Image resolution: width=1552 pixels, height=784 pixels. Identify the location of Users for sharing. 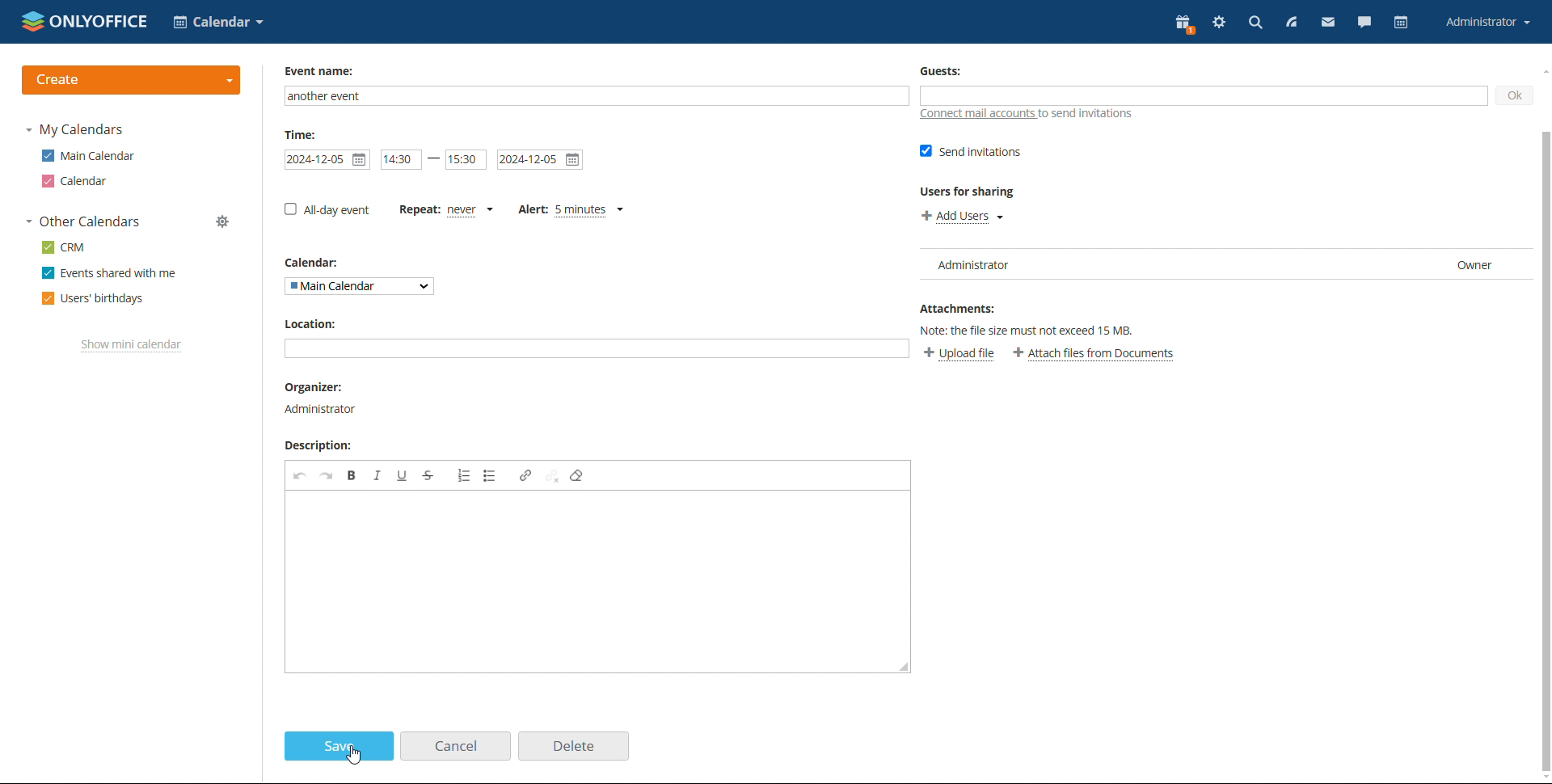
(973, 192).